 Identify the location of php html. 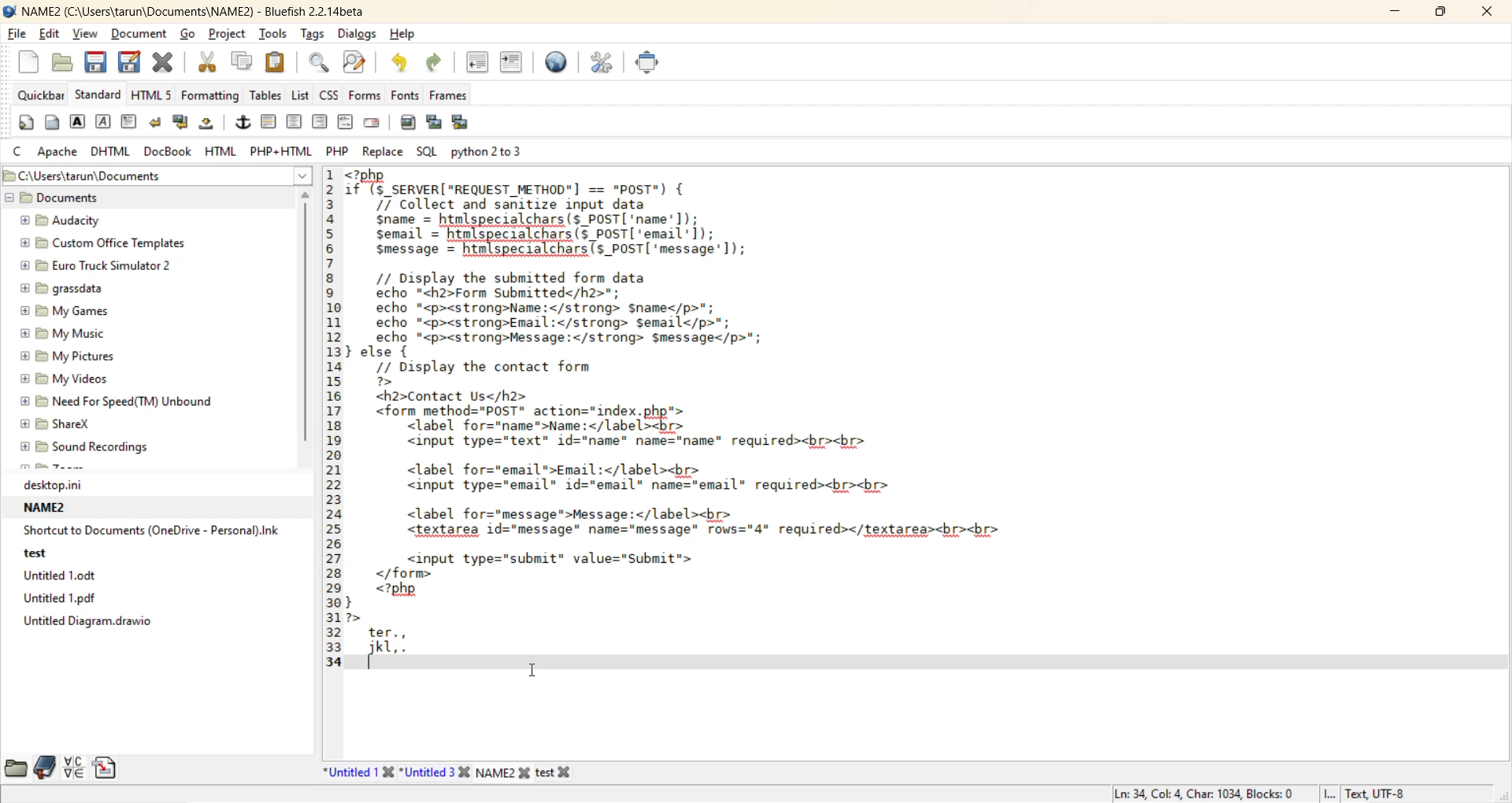
(283, 149).